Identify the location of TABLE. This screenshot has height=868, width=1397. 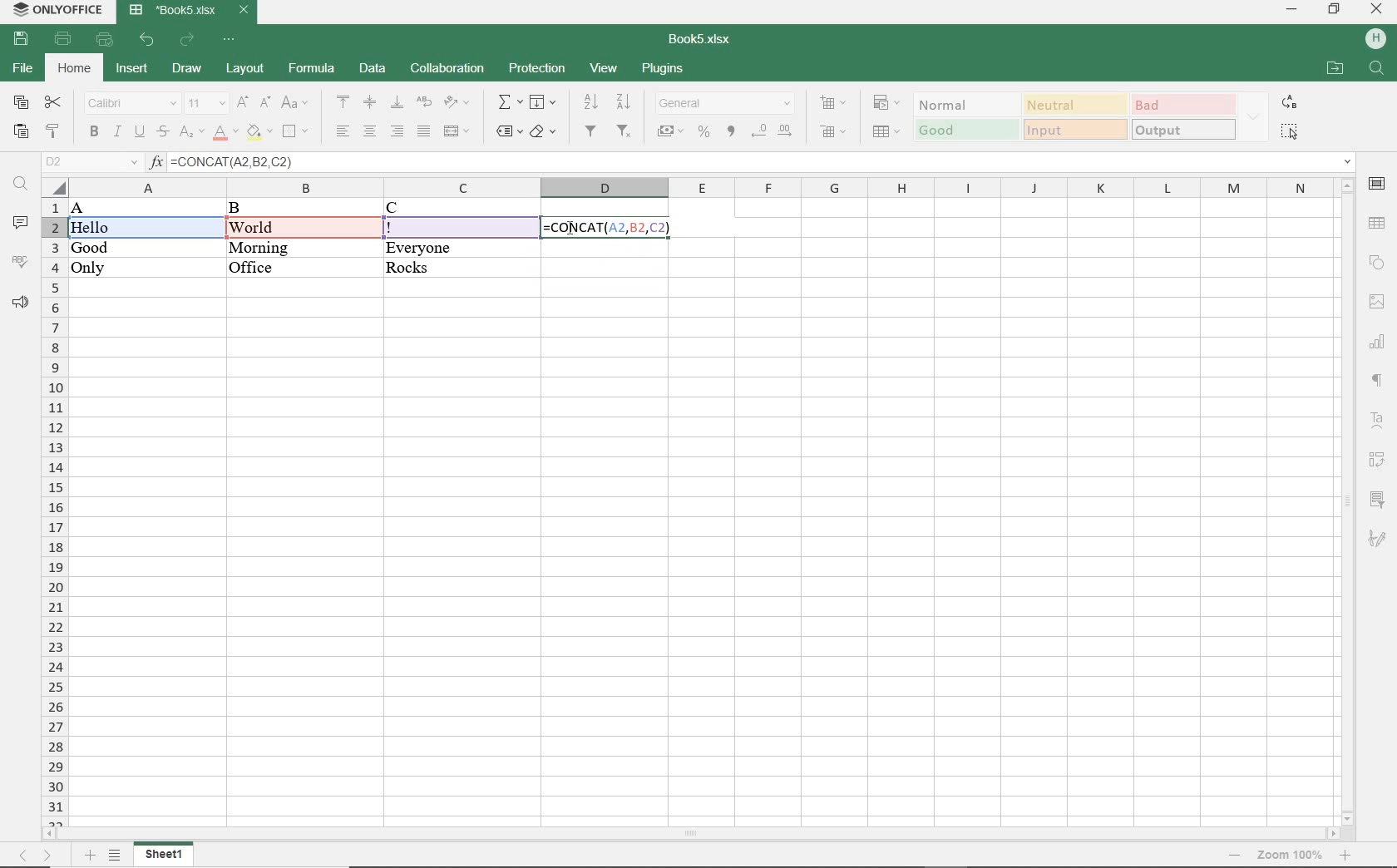
(1379, 223).